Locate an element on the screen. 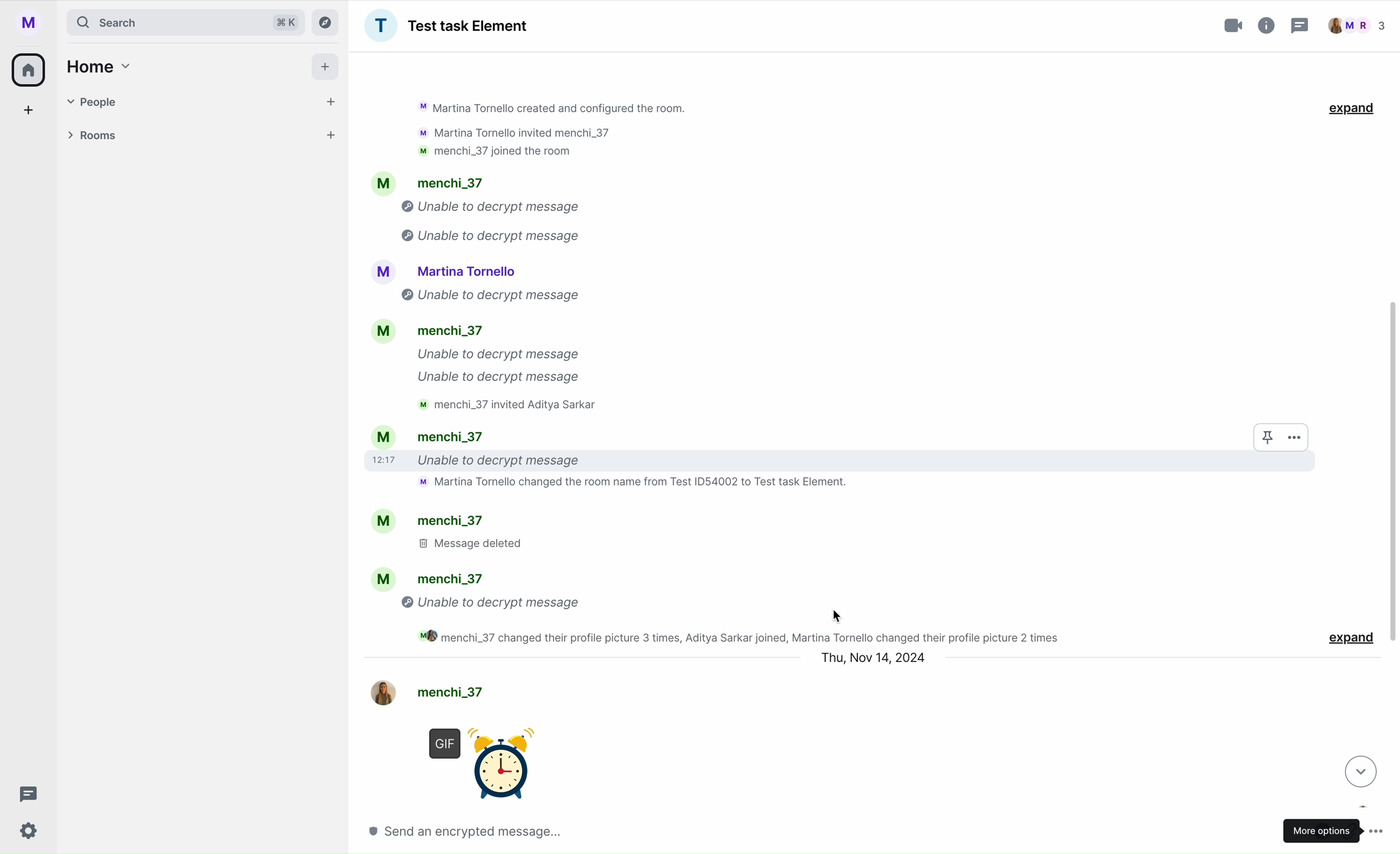  add is located at coordinates (327, 69).